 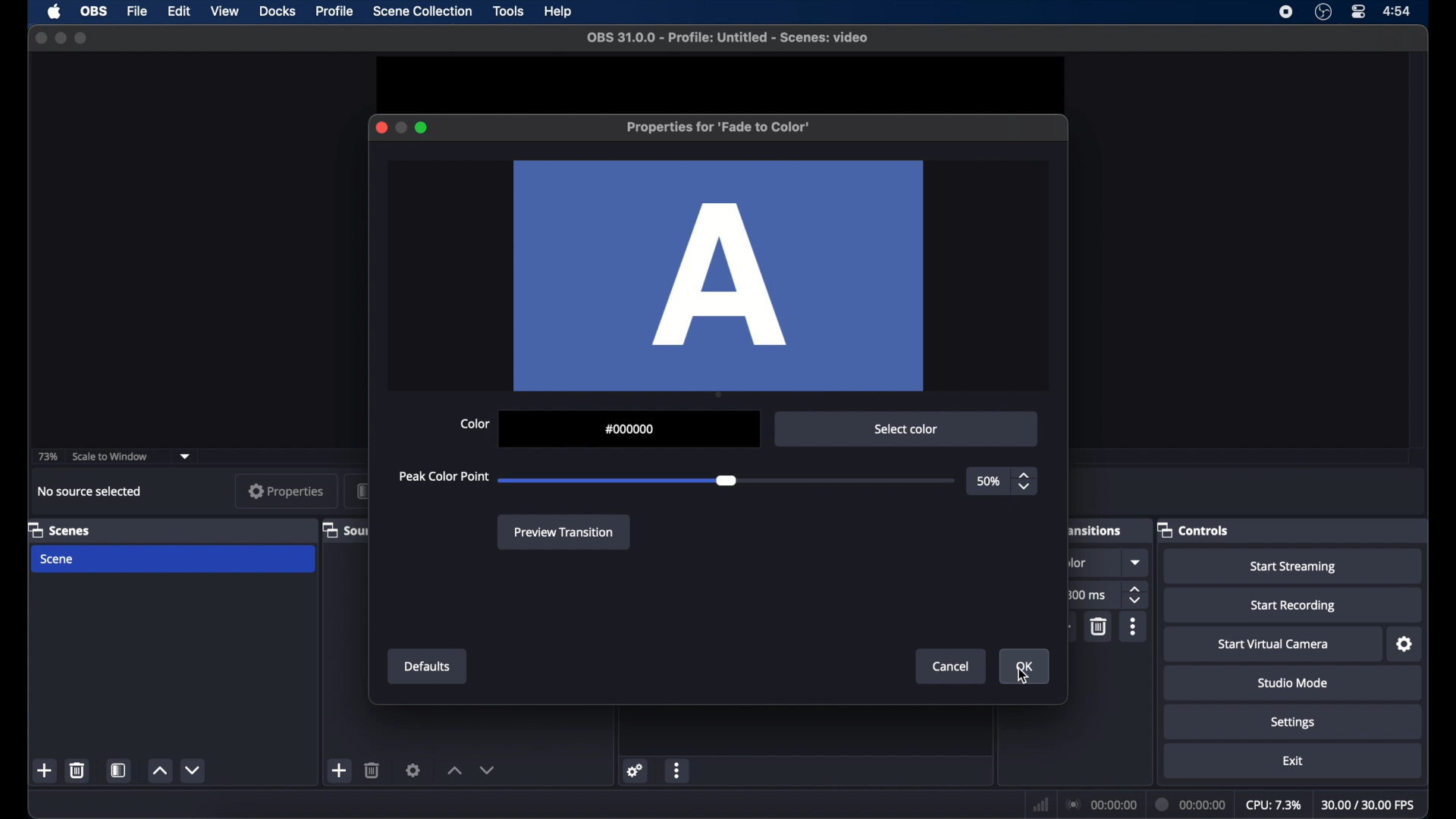 I want to click on 300 ms, so click(x=1088, y=595).